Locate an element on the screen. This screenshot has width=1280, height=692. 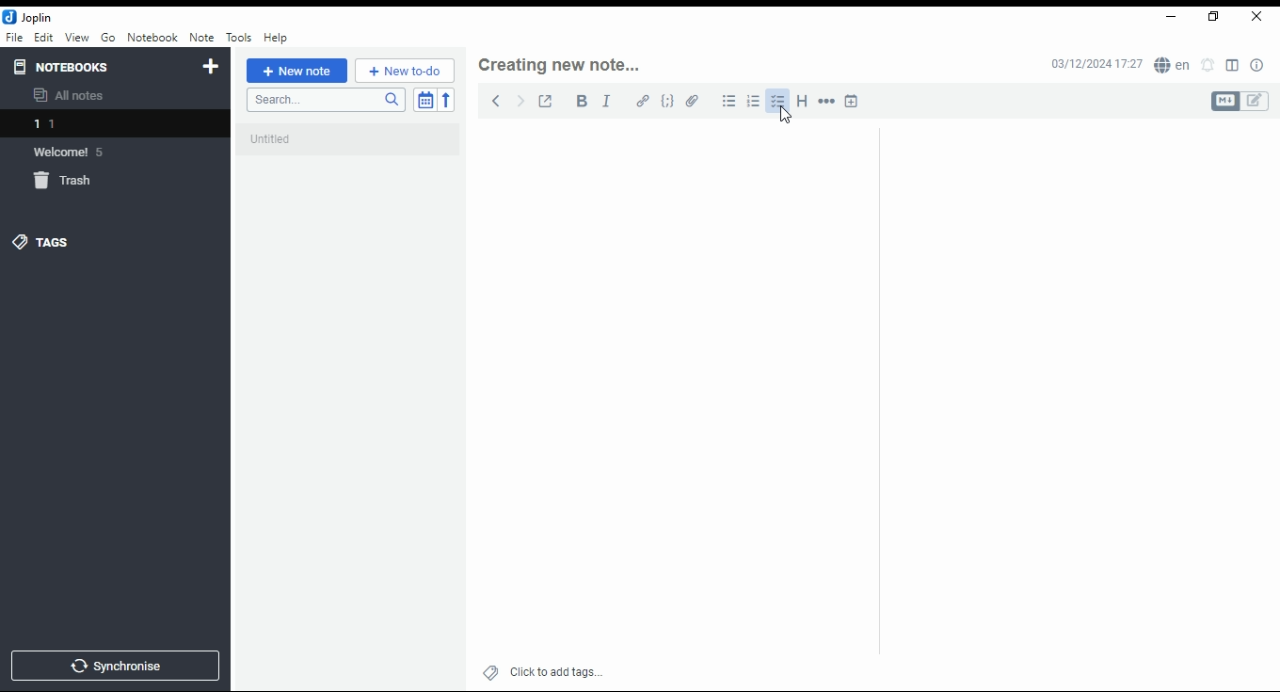
toggle editors is located at coordinates (1239, 102).